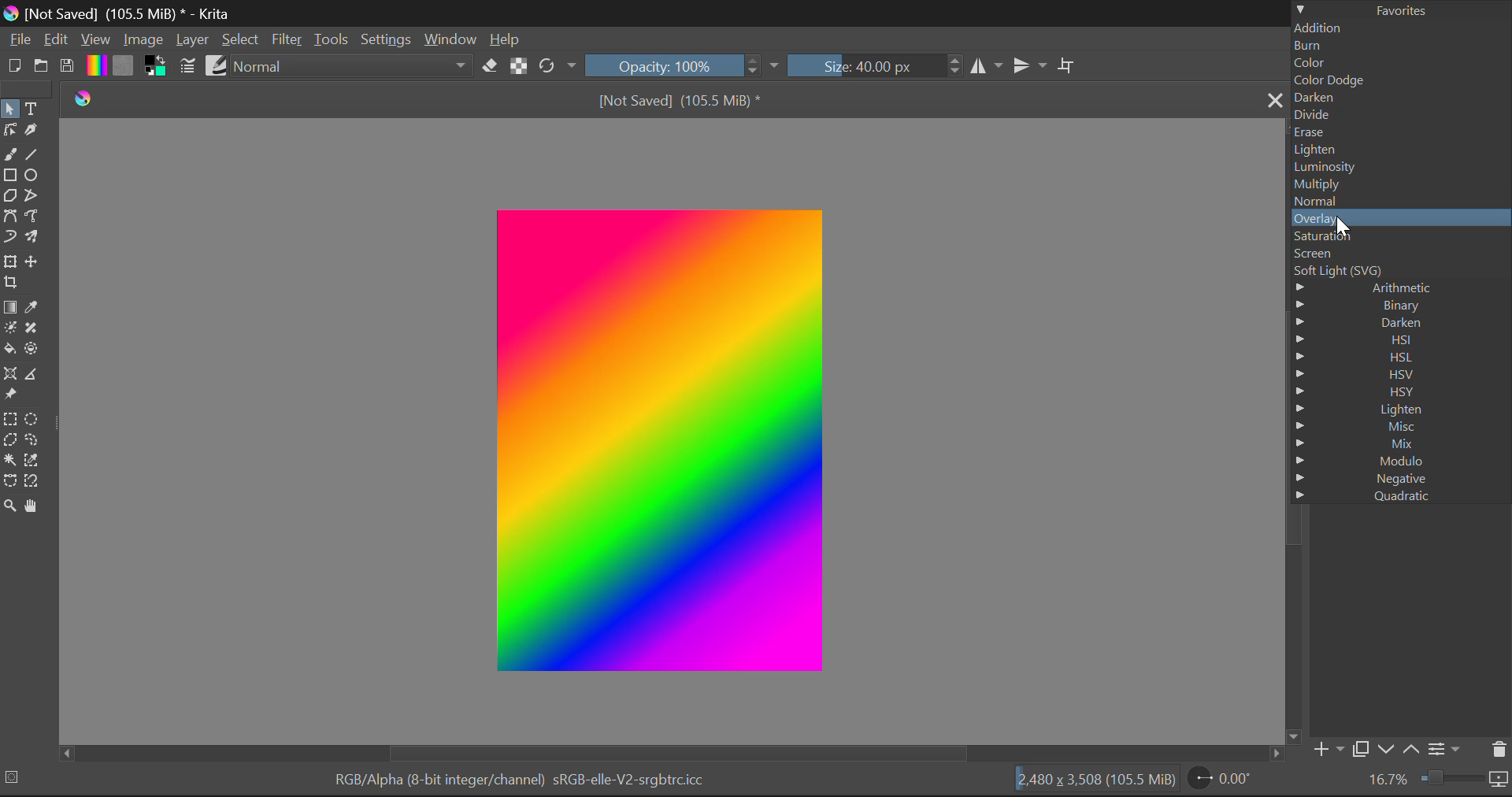 This screenshot has width=1512, height=797. Describe the element at coordinates (558, 65) in the screenshot. I see `Rotation` at that location.